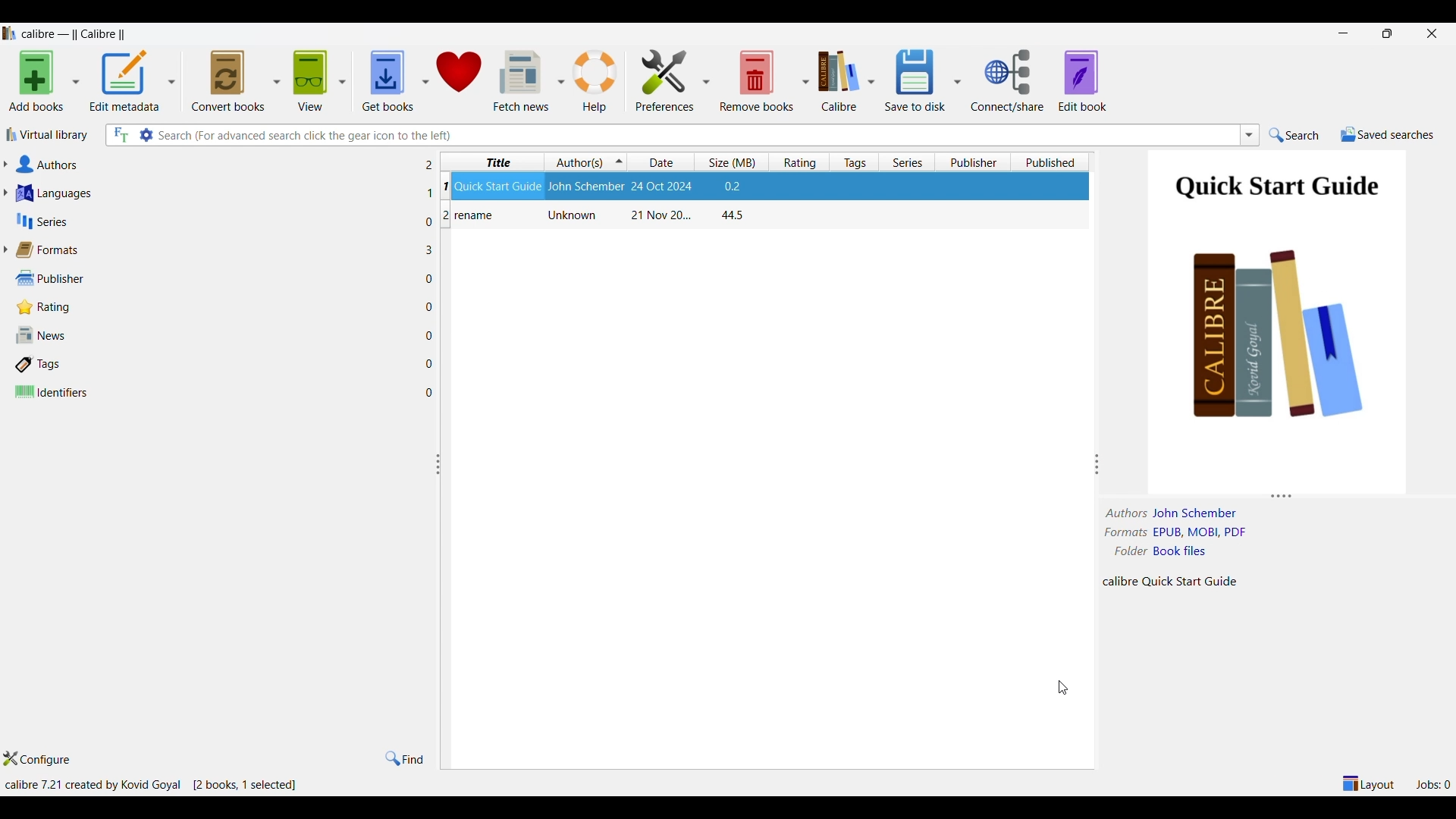 The height and width of the screenshot is (819, 1456). What do you see at coordinates (757, 188) in the screenshot?
I see `Book: Quick Start Guide` at bounding box center [757, 188].